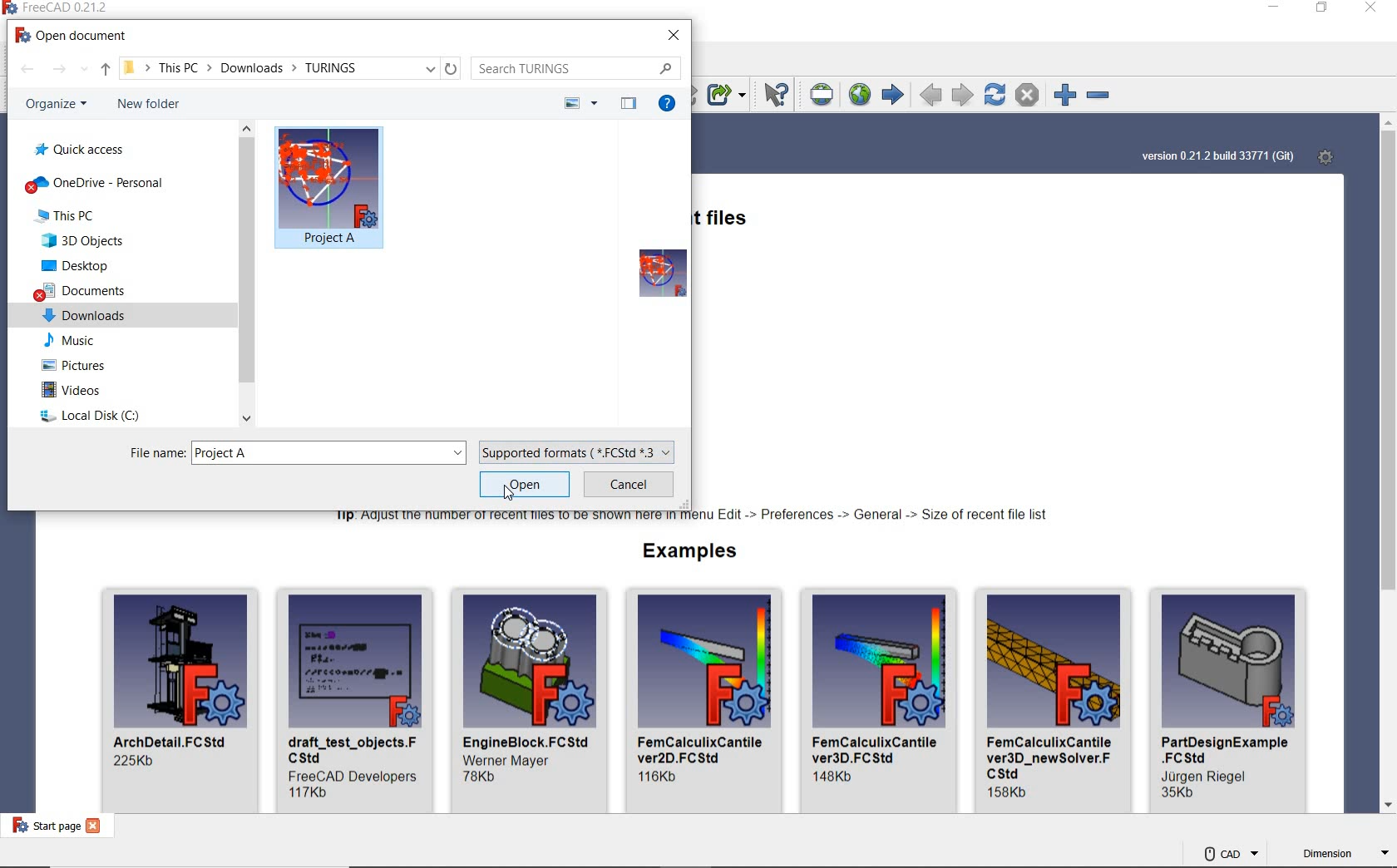 The width and height of the screenshot is (1397, 868). Describe the element at coordinates (579, 69) in the screenshot. I see `SEARCH` at that location.